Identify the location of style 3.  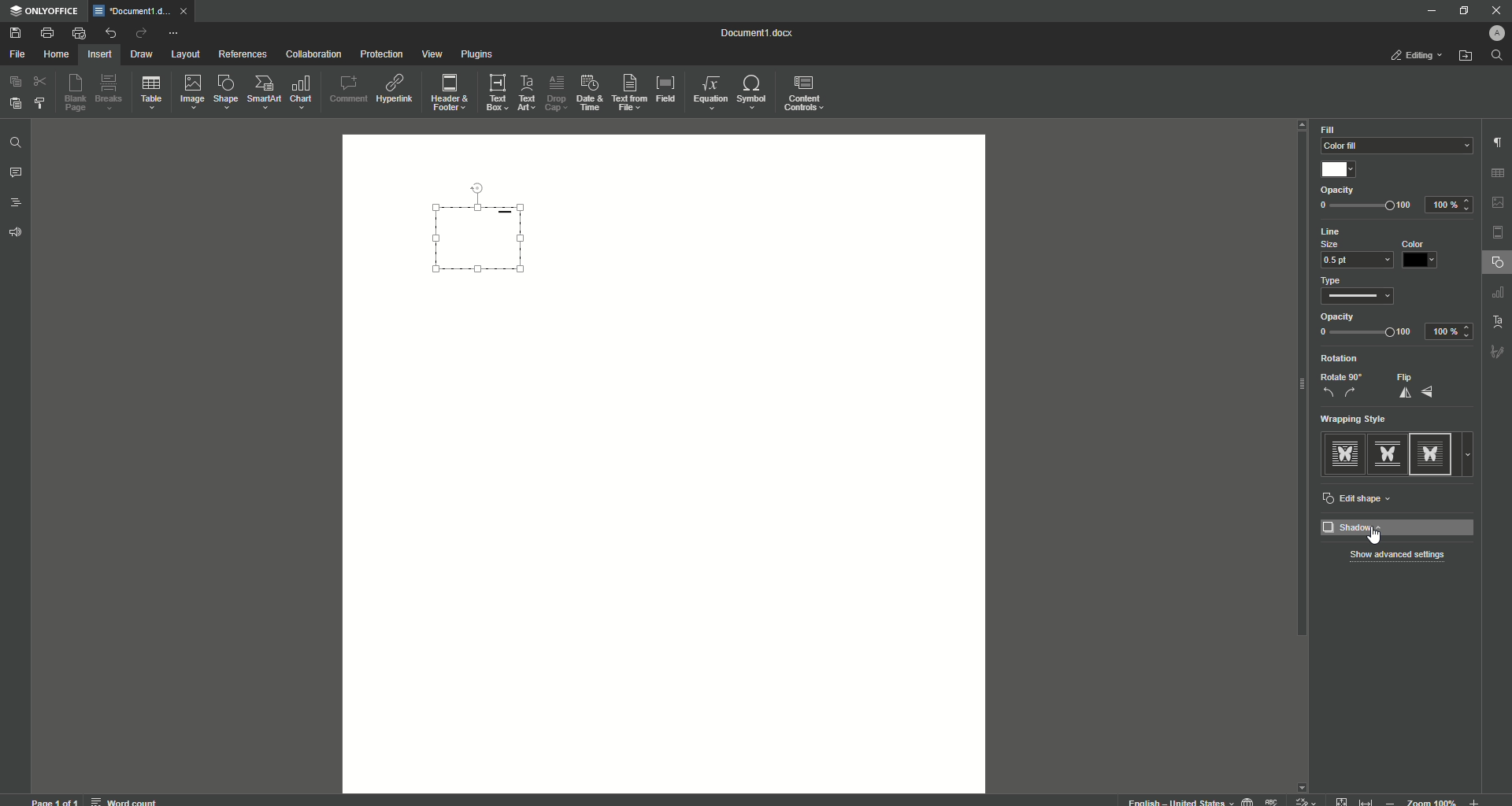
(1434, 453).